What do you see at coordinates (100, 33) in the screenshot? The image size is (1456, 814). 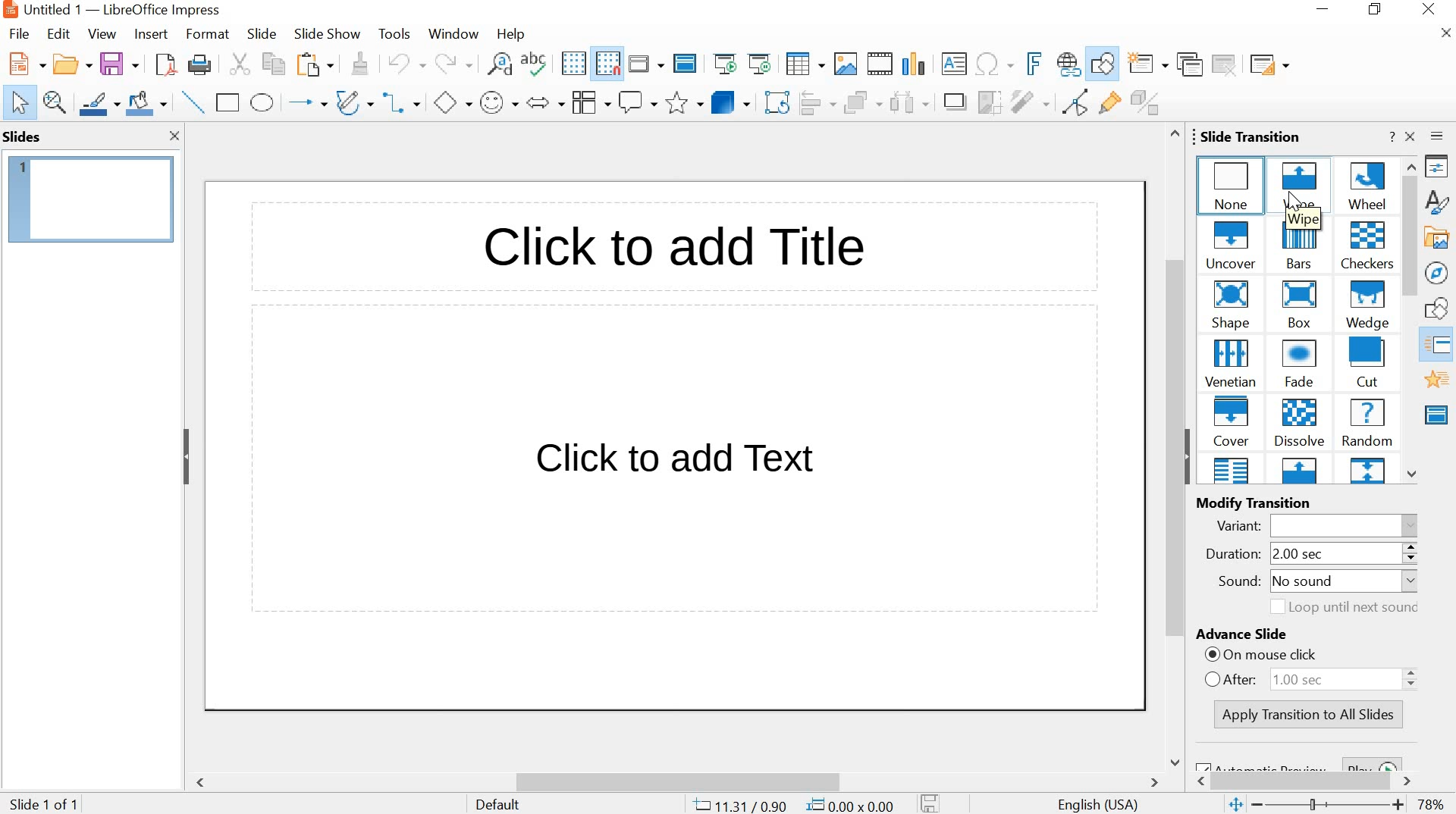 I see `VIEW` at bounding box center [100, 33].